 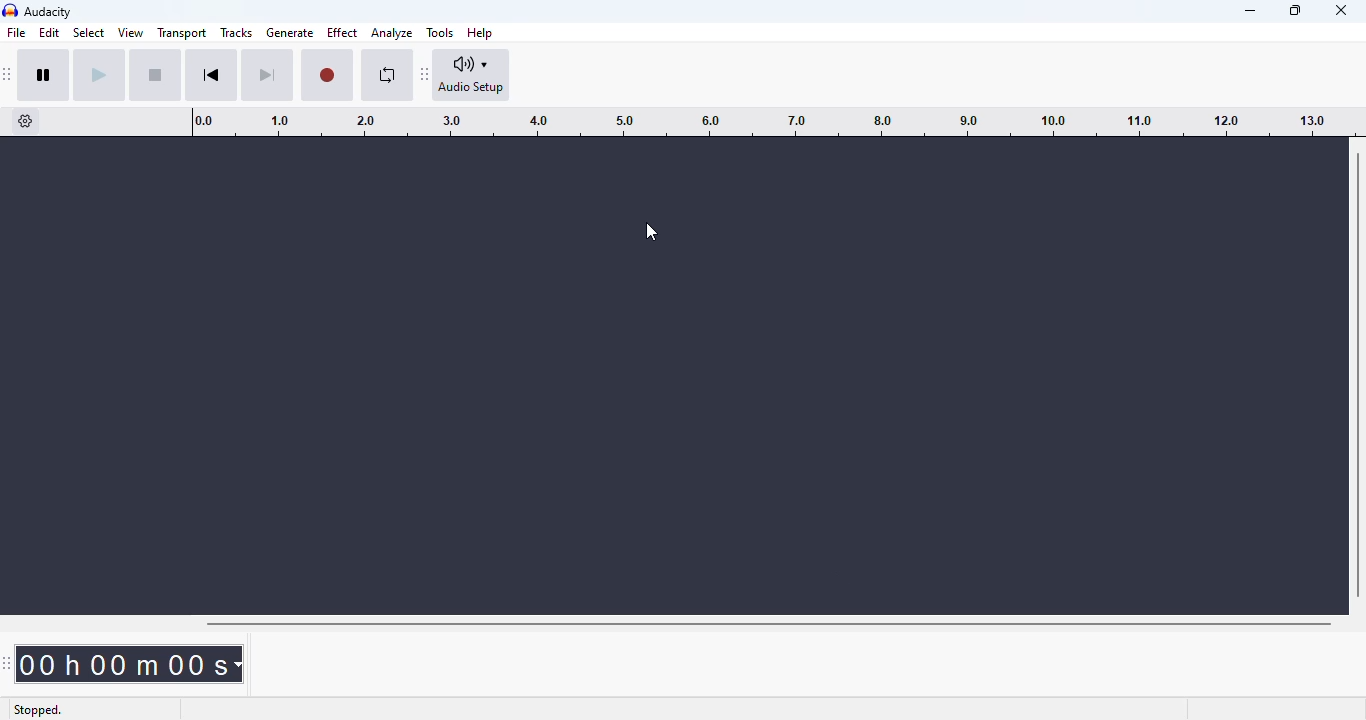 What do you see at coordinates (183, 32) in the screenshot?
I see `transport` at bounding box center [183, 32].